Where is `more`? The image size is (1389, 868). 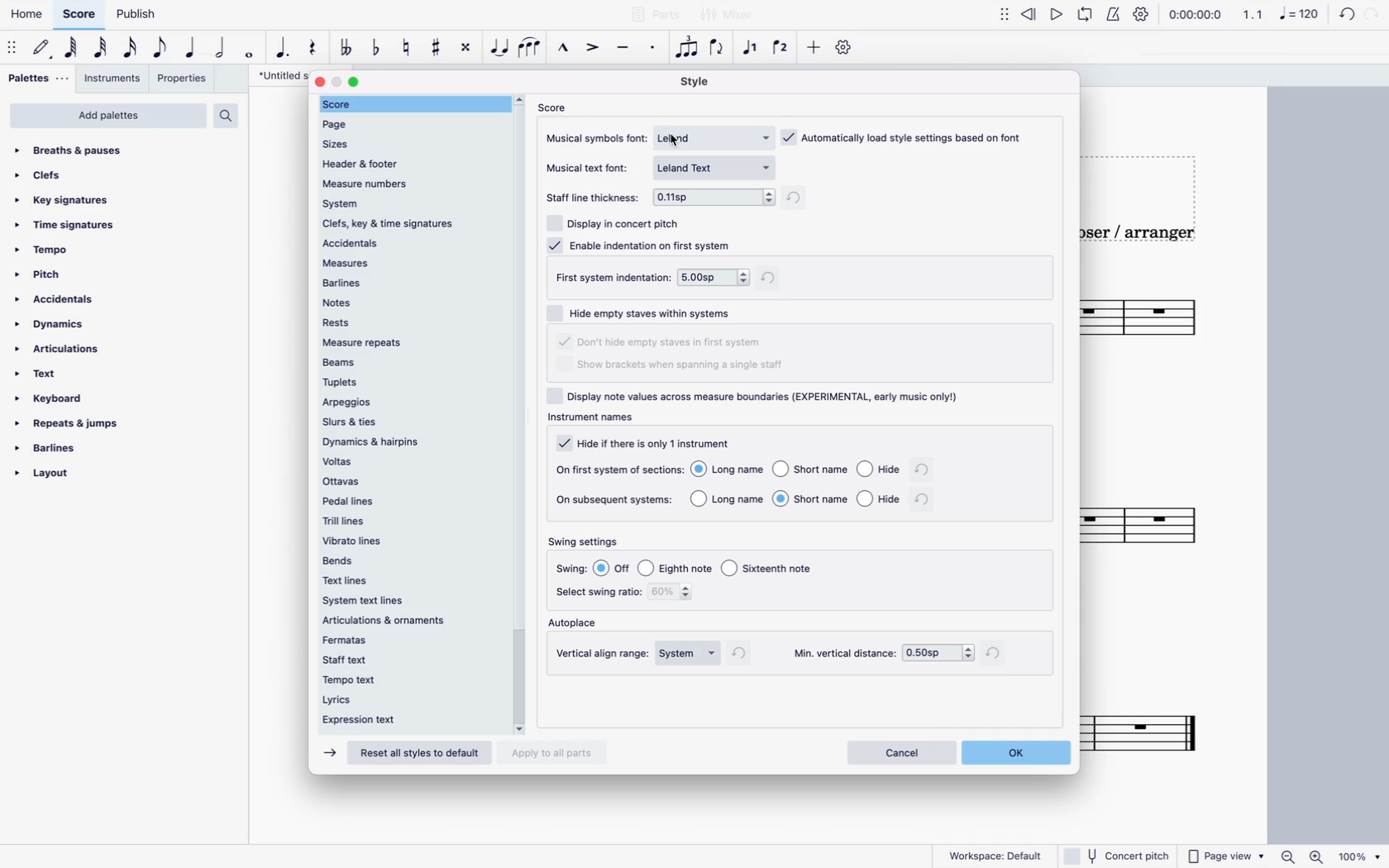 more is located at coordinates (1001, 12).